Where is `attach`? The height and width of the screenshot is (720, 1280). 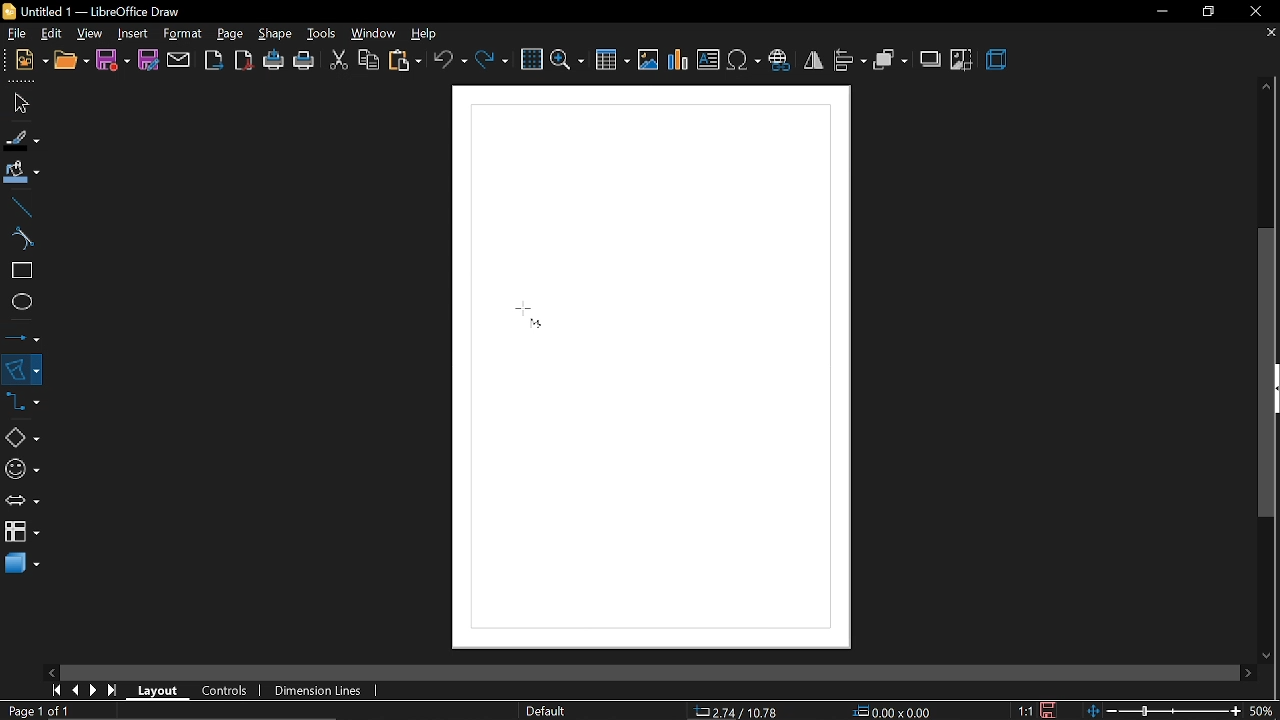
attach is located at coordinates (178, 60).